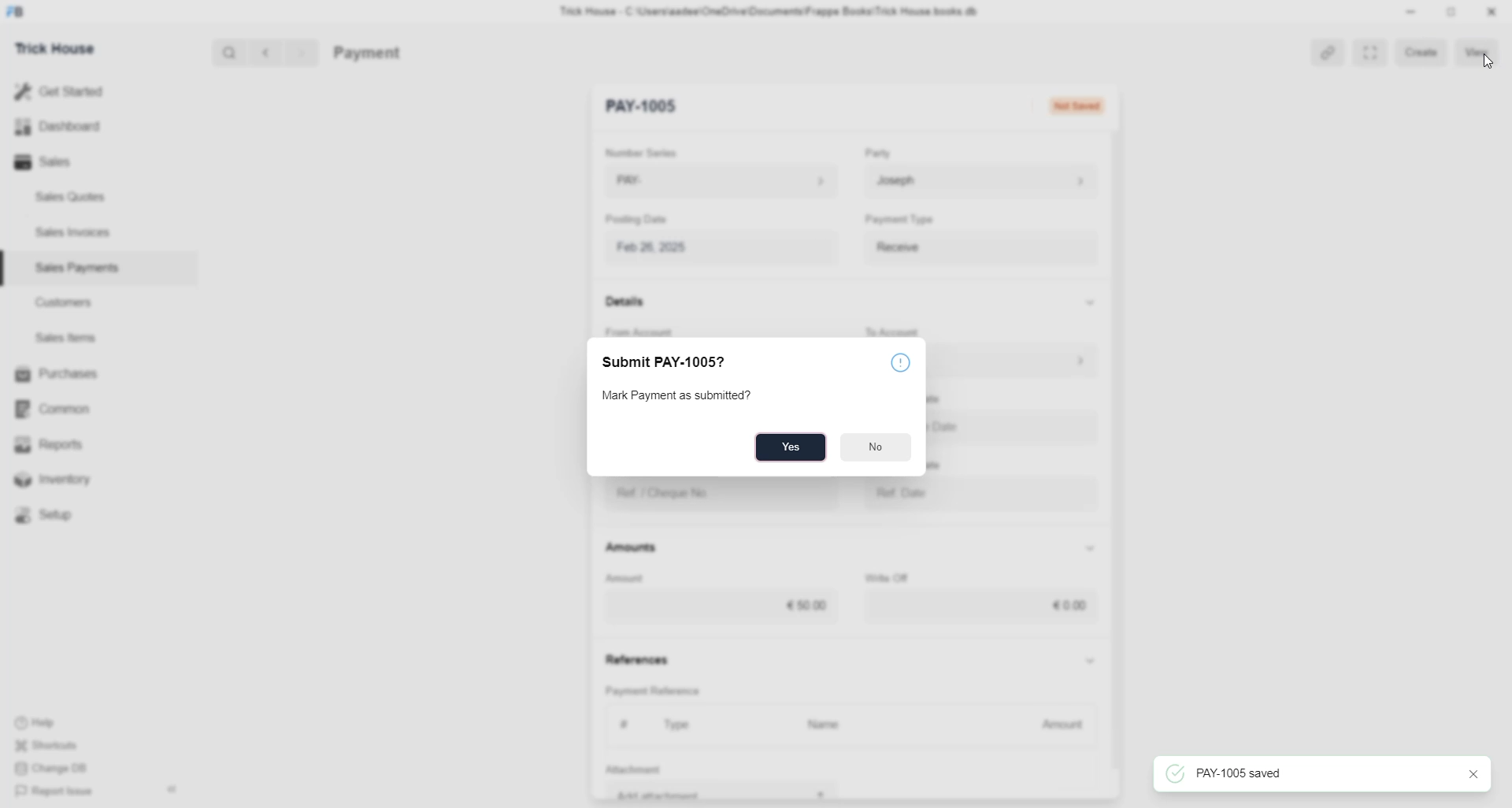  What do you see at coordinates (720, 607) in the screenshot?
I see `€50.00` at bounding box center [720, 607].